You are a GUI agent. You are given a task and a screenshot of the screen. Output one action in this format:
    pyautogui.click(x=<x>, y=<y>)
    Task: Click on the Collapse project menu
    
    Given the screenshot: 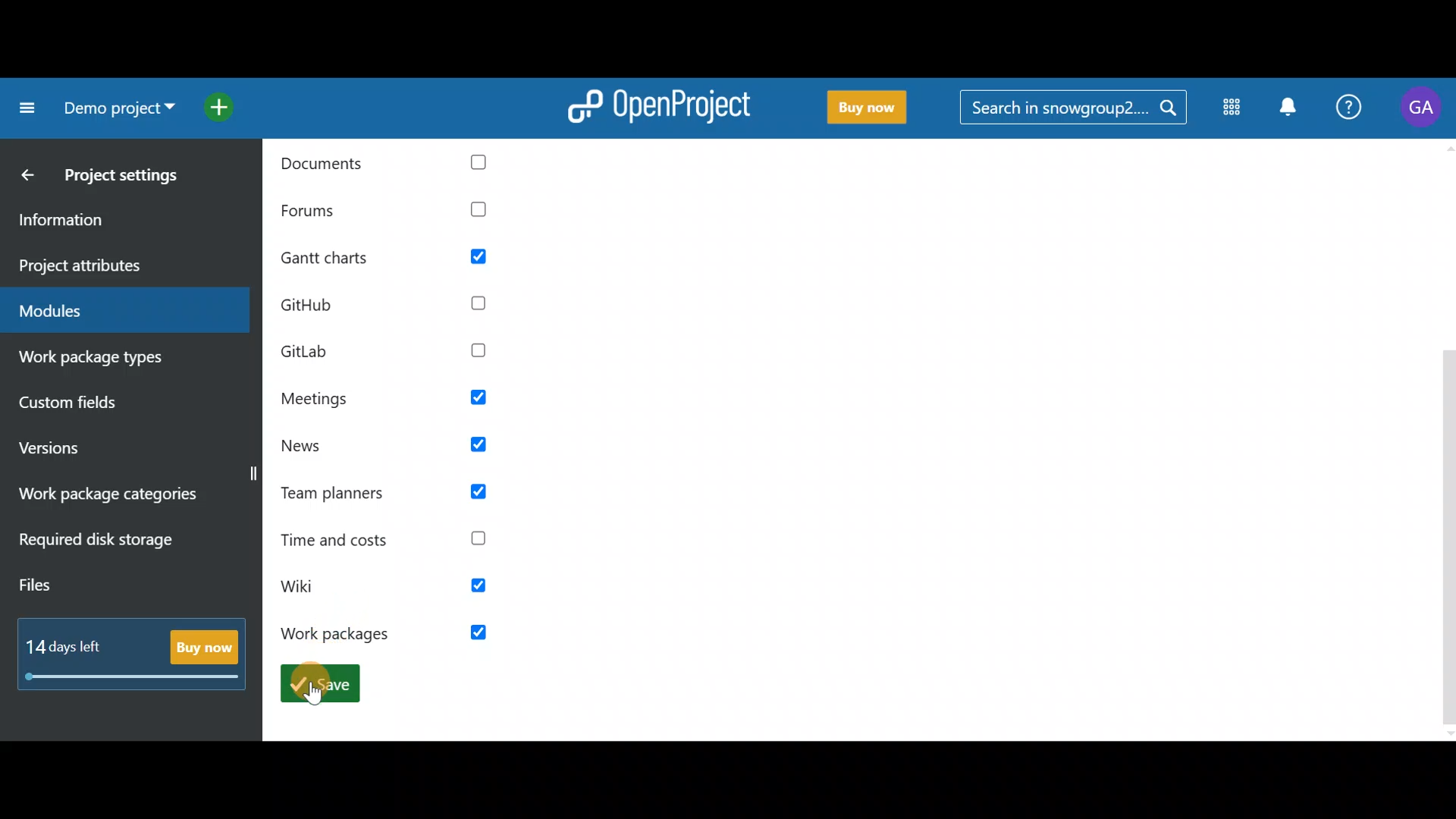 What is the action you would take?
    pyautogui.click(x=24, y=111)
    